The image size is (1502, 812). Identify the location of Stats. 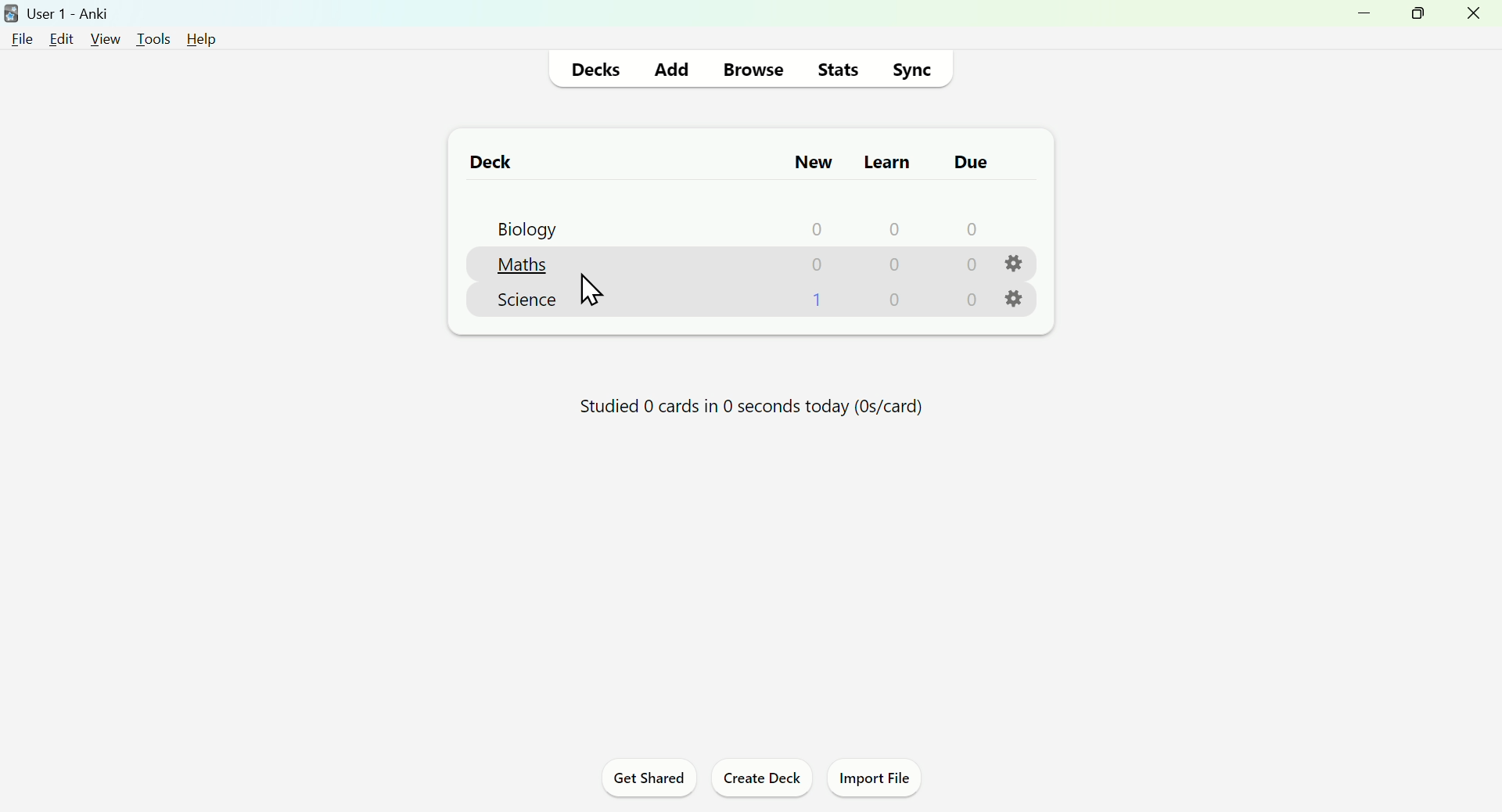
(839, 68).